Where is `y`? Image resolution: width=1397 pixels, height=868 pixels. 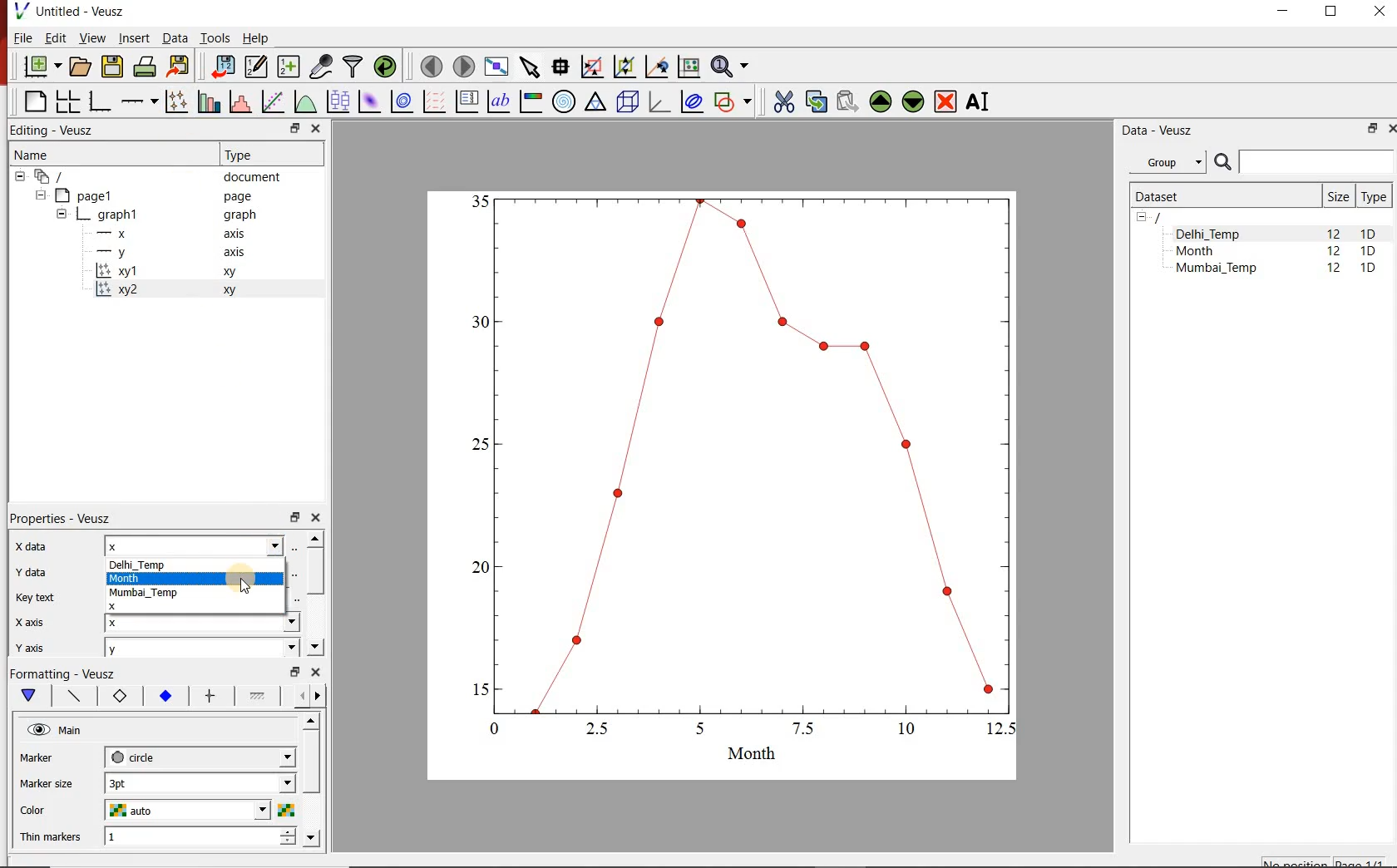 y is located at coordinates (201, 649).